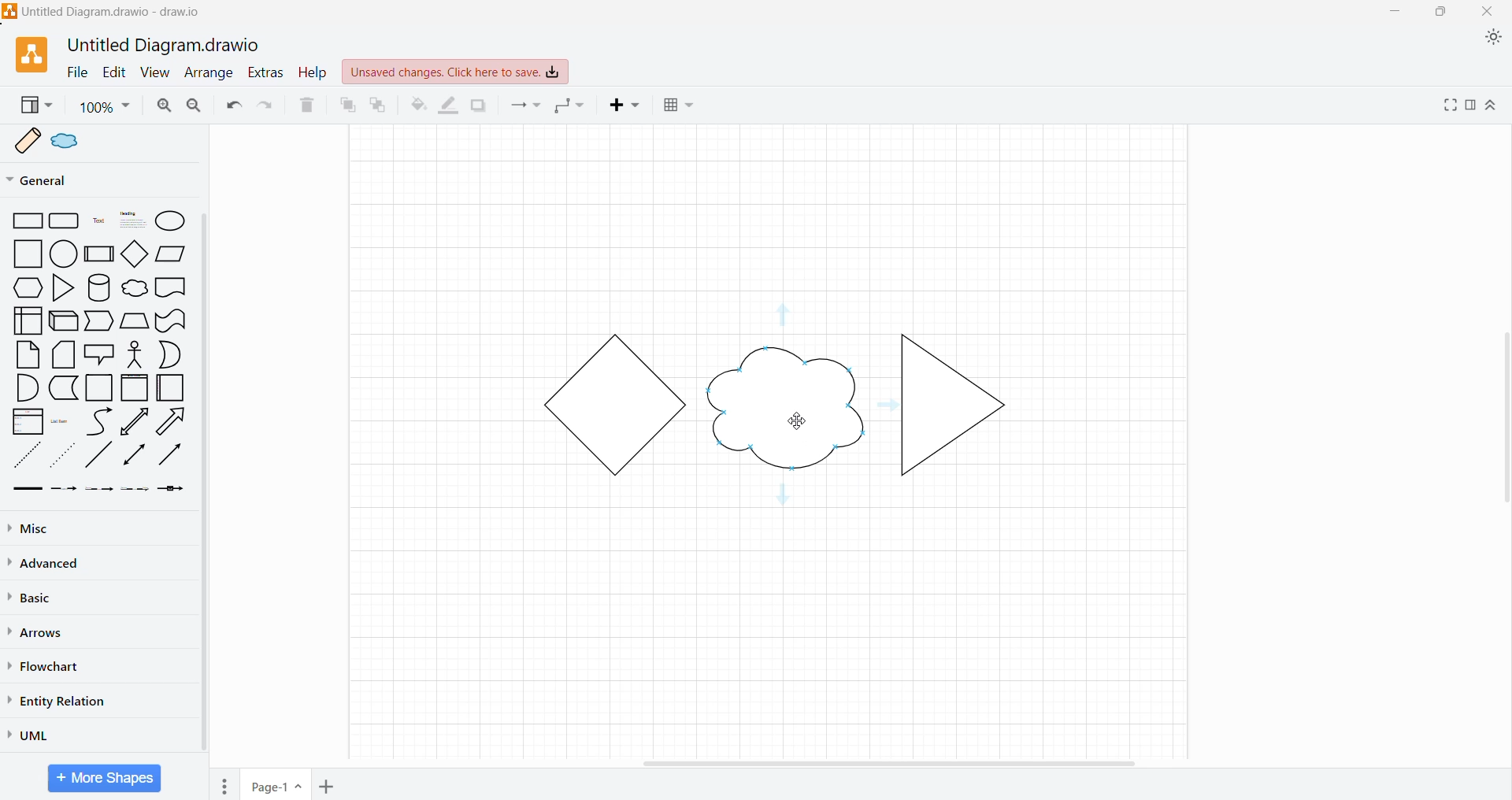 The width and height of the screenshot is (1512, 800). I want to click on Line Color, so click(450, 106).